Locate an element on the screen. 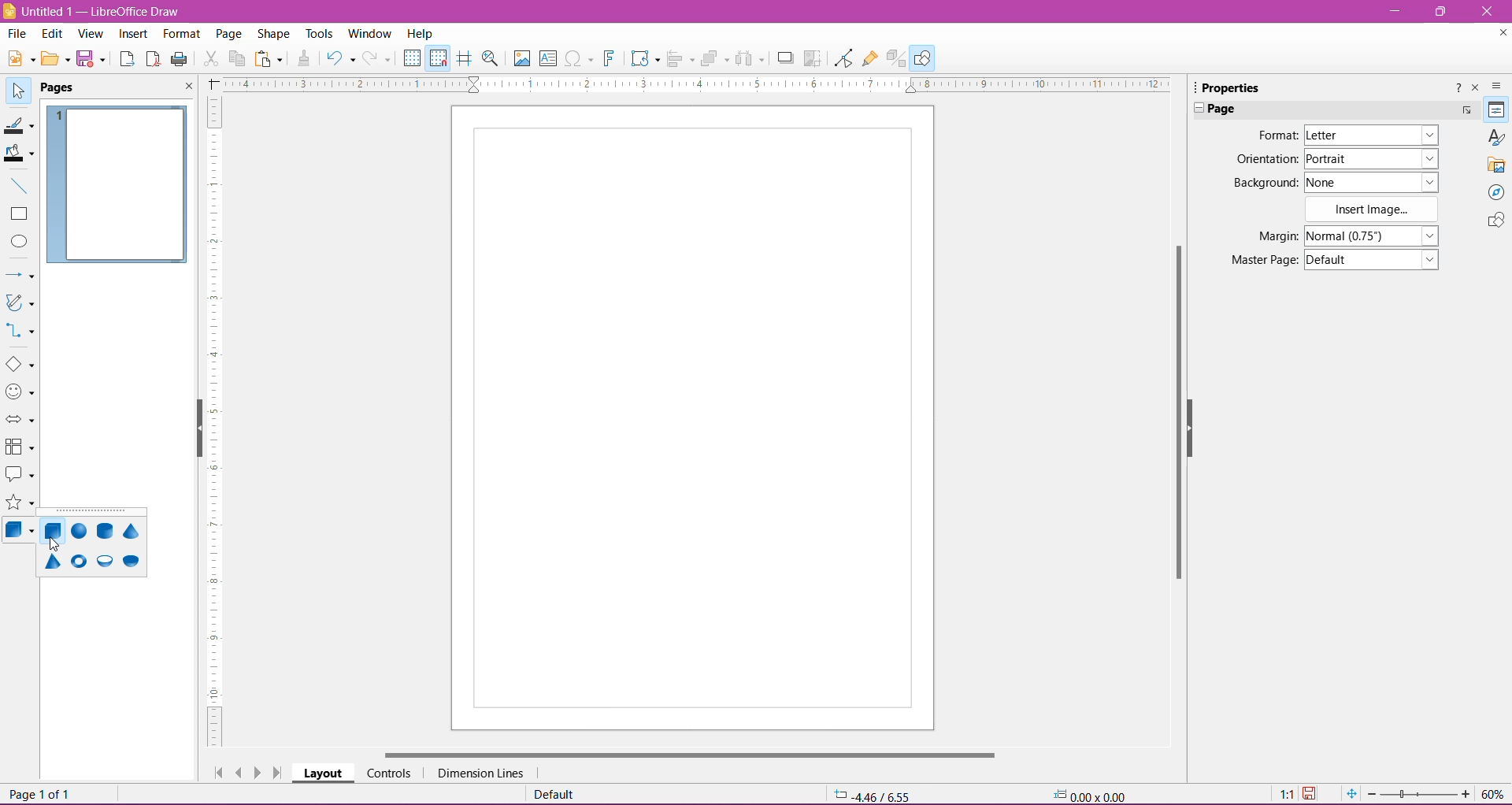 Image resolution: width=1512 pixels, height=805 pixels. Master Page is located at coordinates (1262, 259).